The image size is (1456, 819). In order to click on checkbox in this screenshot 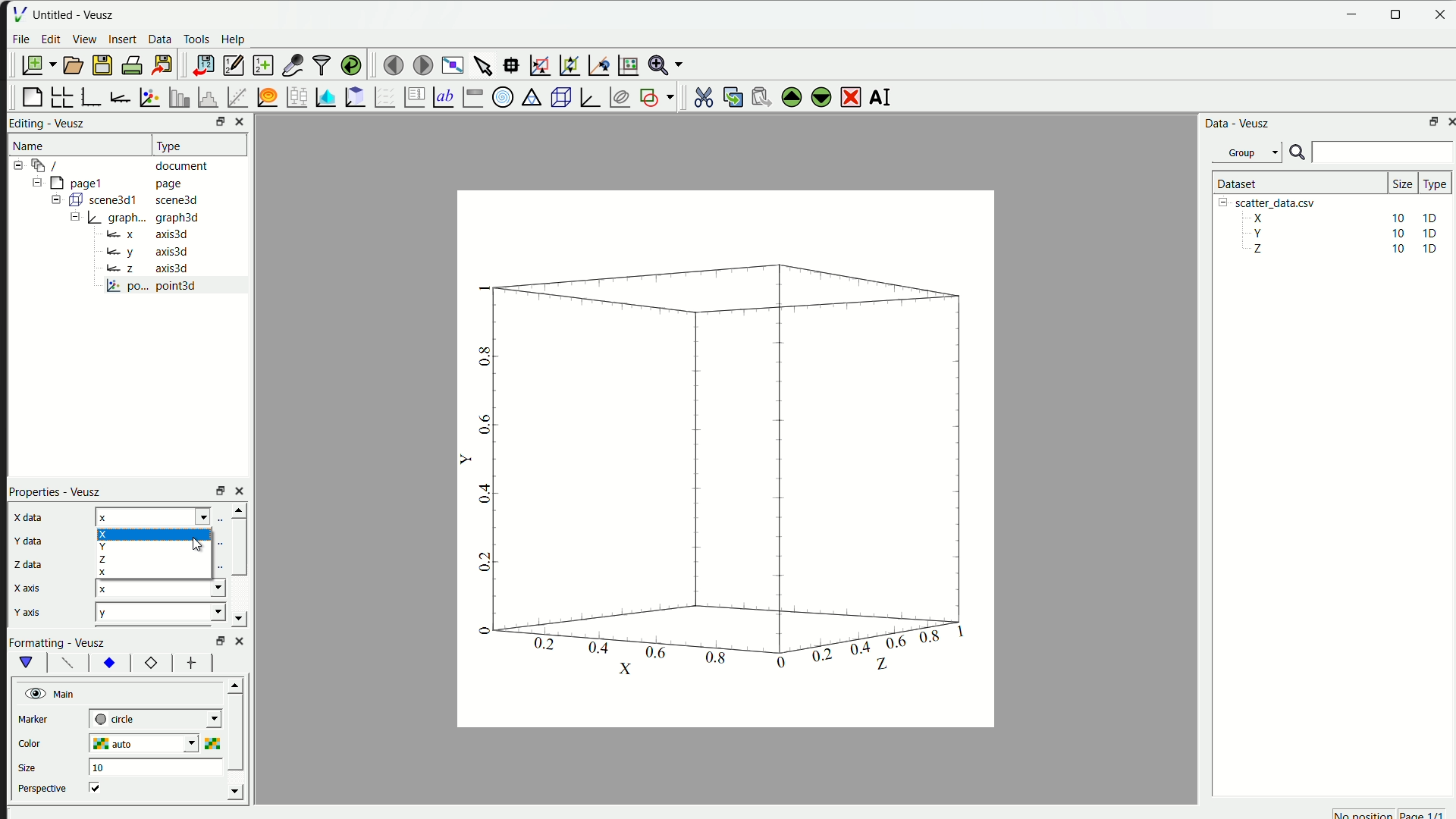, I will do `click(99, 787)`.